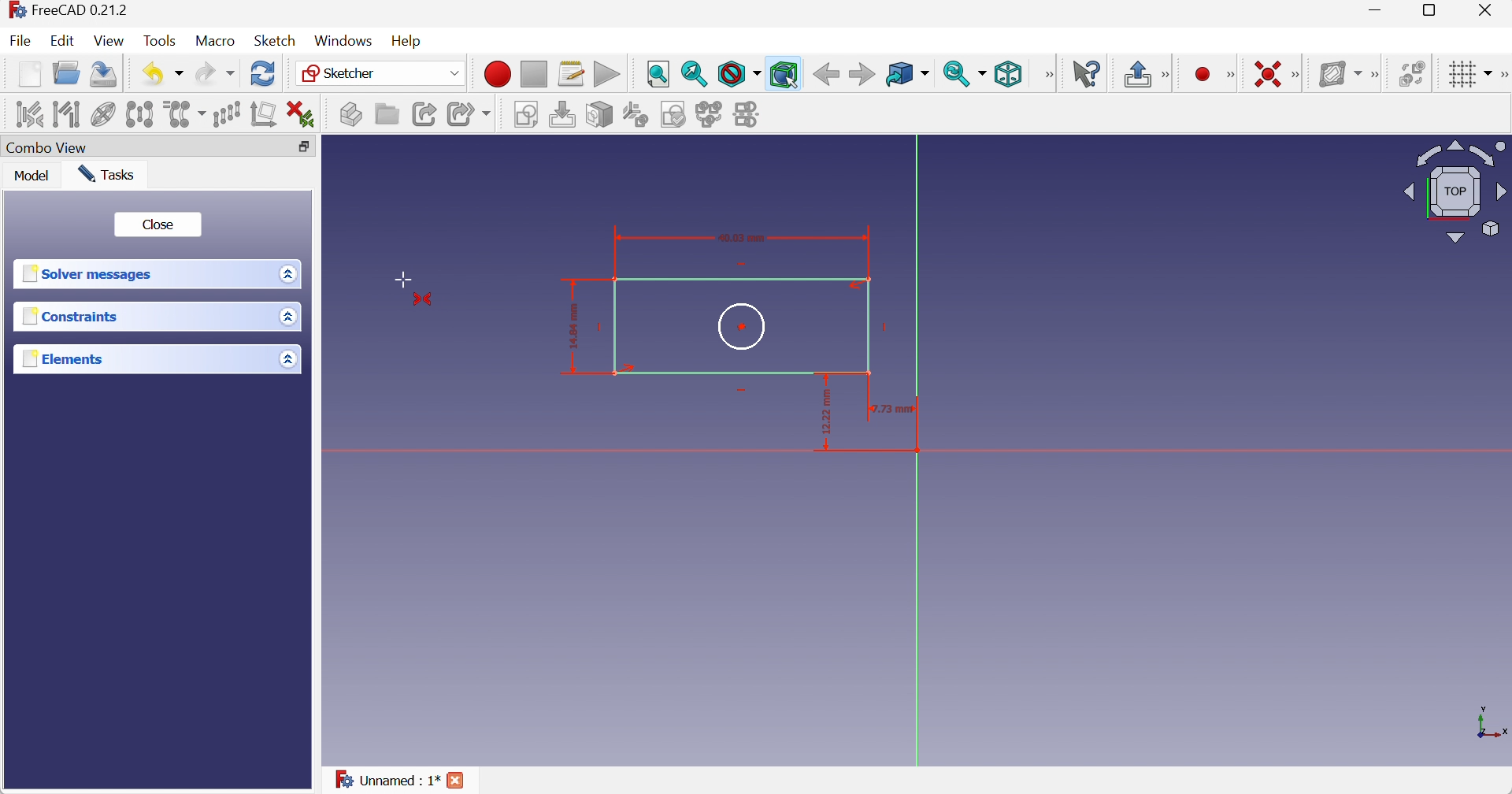 Image resolution: width=1512 pixels, height=794 pixels. What do you see at coordinates (287, 361) in the screenshot?
I see `Drop down` at bounding box center [287, 361].